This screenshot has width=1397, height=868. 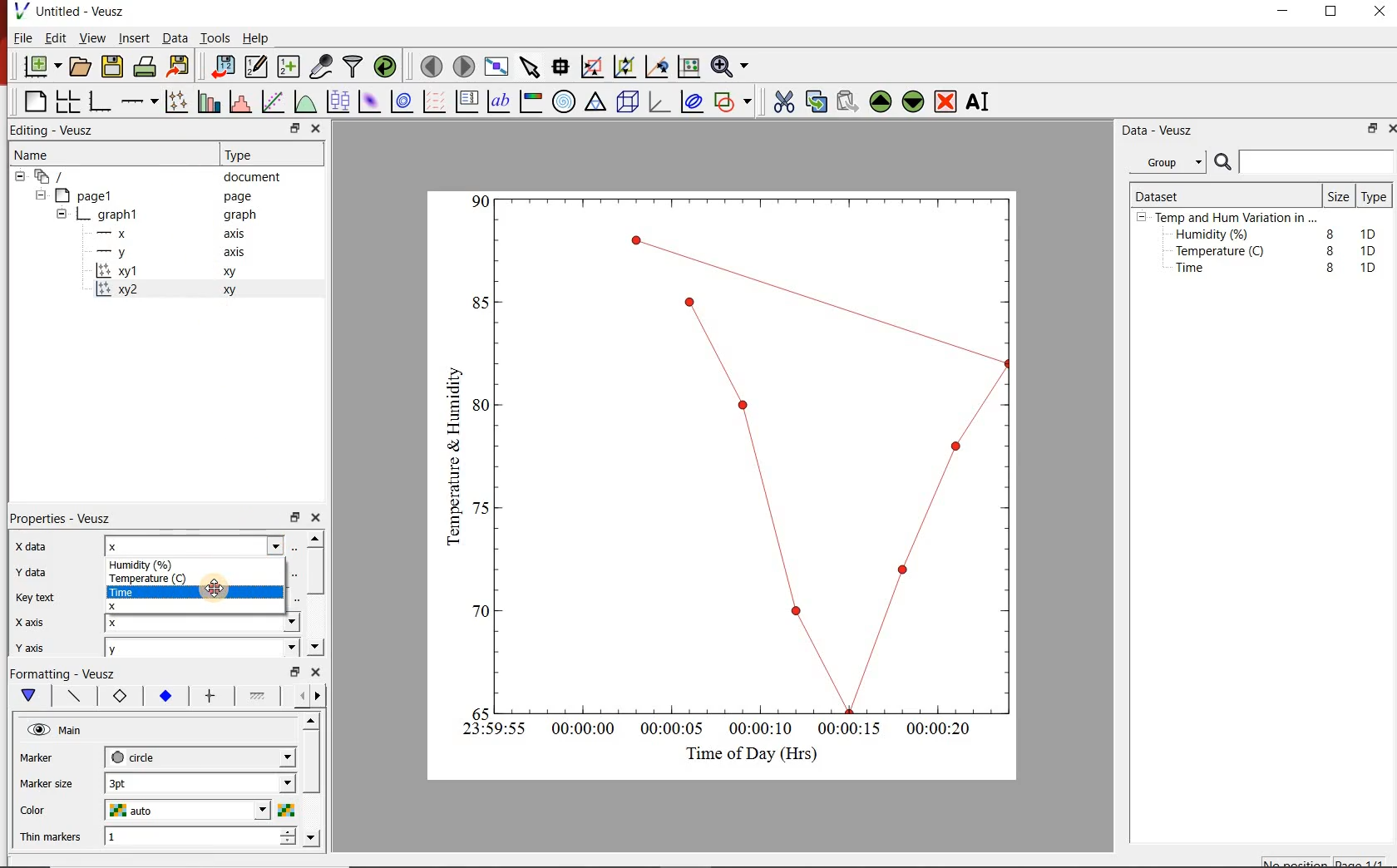 I want to click on save the document, so click(x=113, y=67).